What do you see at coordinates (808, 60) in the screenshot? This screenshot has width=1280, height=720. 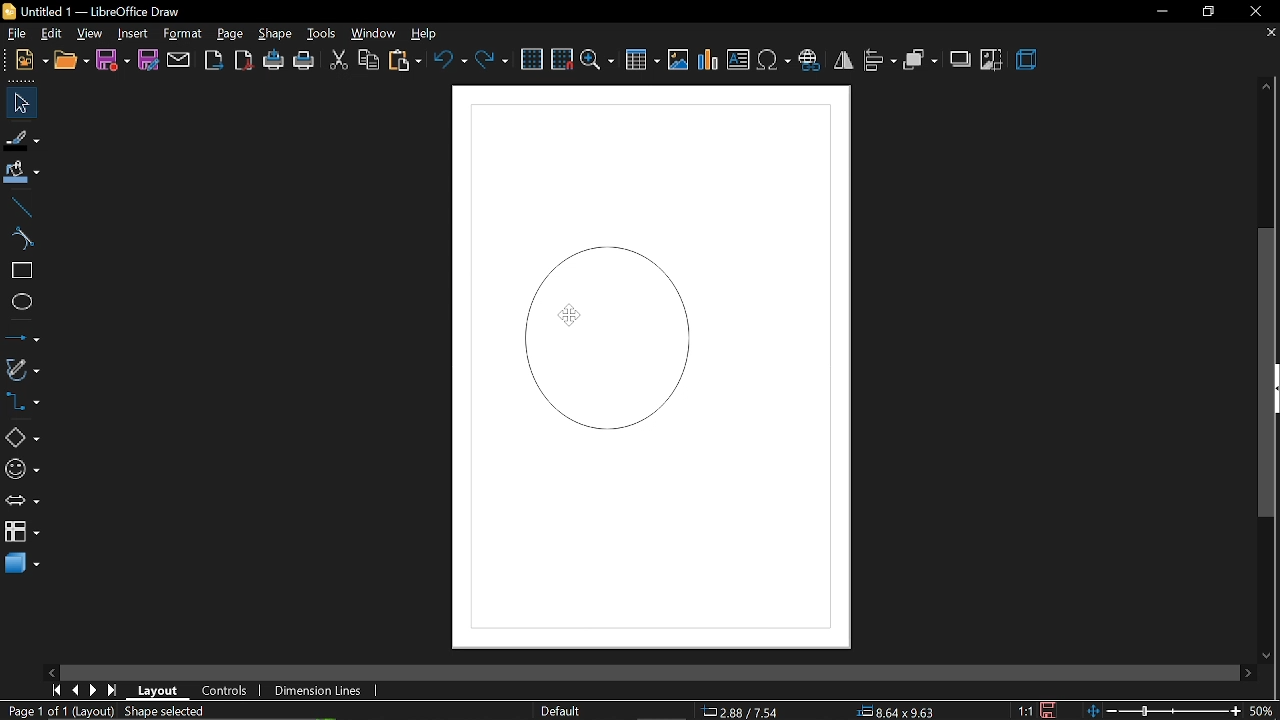 I see `insert hyperlink` at bounding box center [808, 60].